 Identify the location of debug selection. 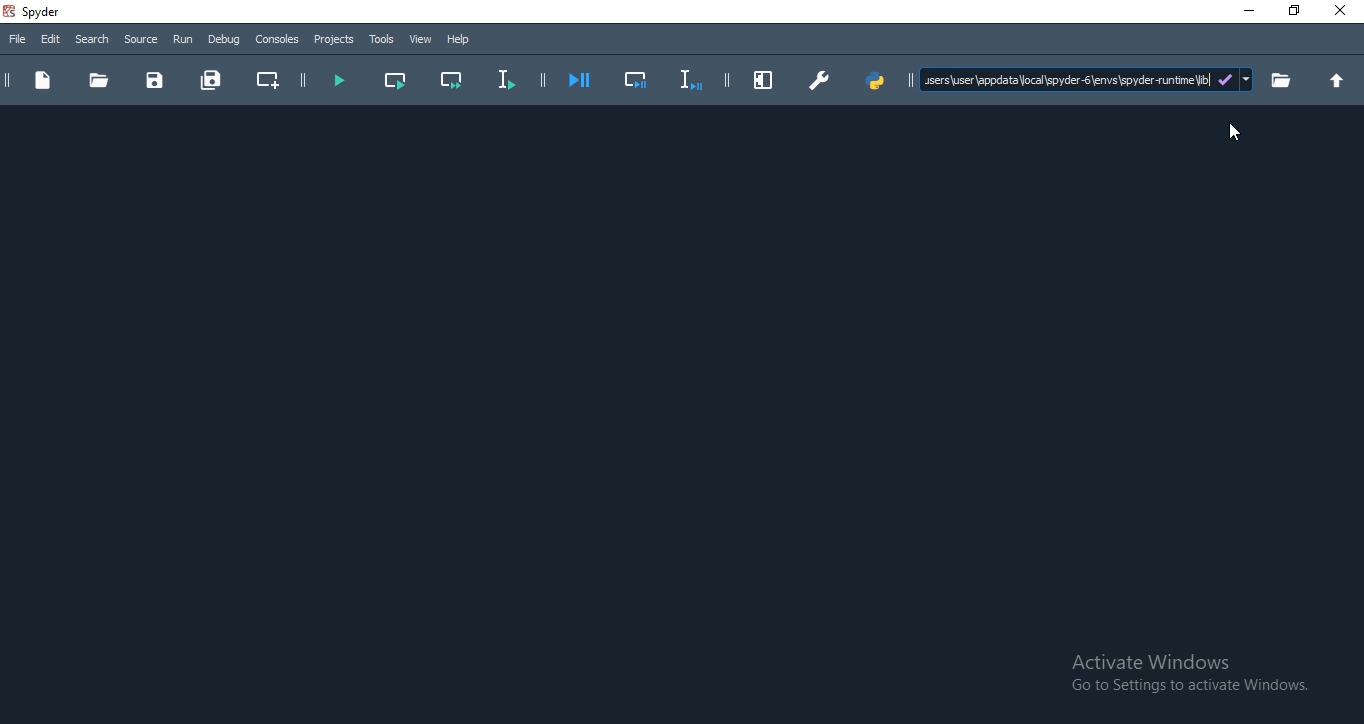
(688, 80).